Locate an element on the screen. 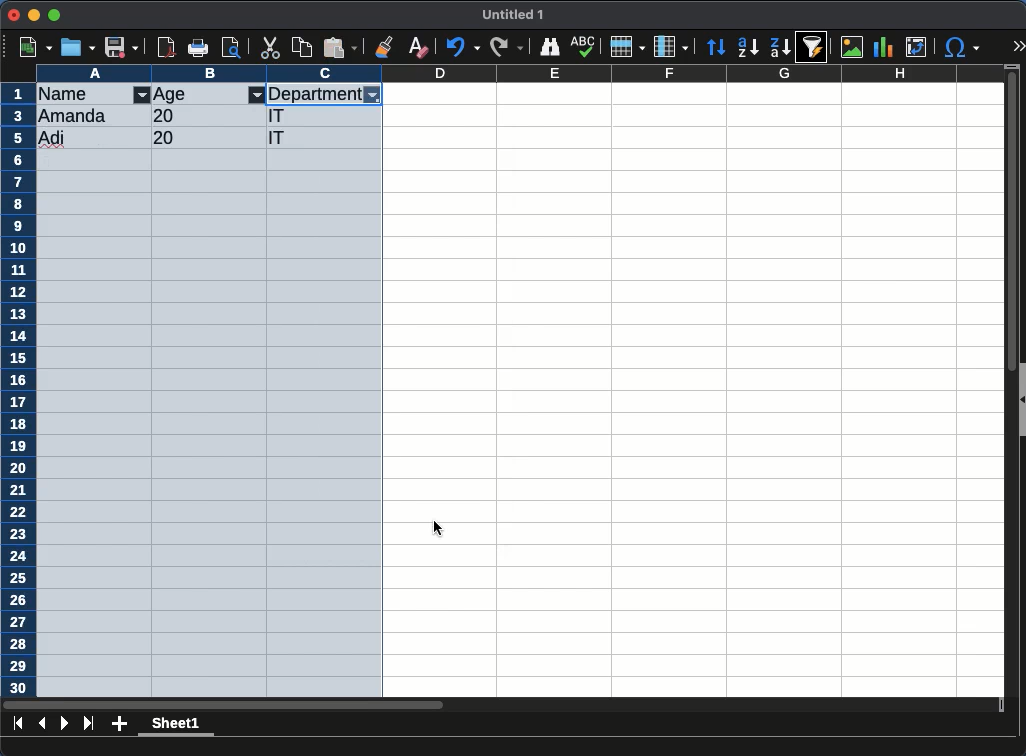 The width and height of the screenshot is (1026, 756). cursor is located at coordinates (440, 525).